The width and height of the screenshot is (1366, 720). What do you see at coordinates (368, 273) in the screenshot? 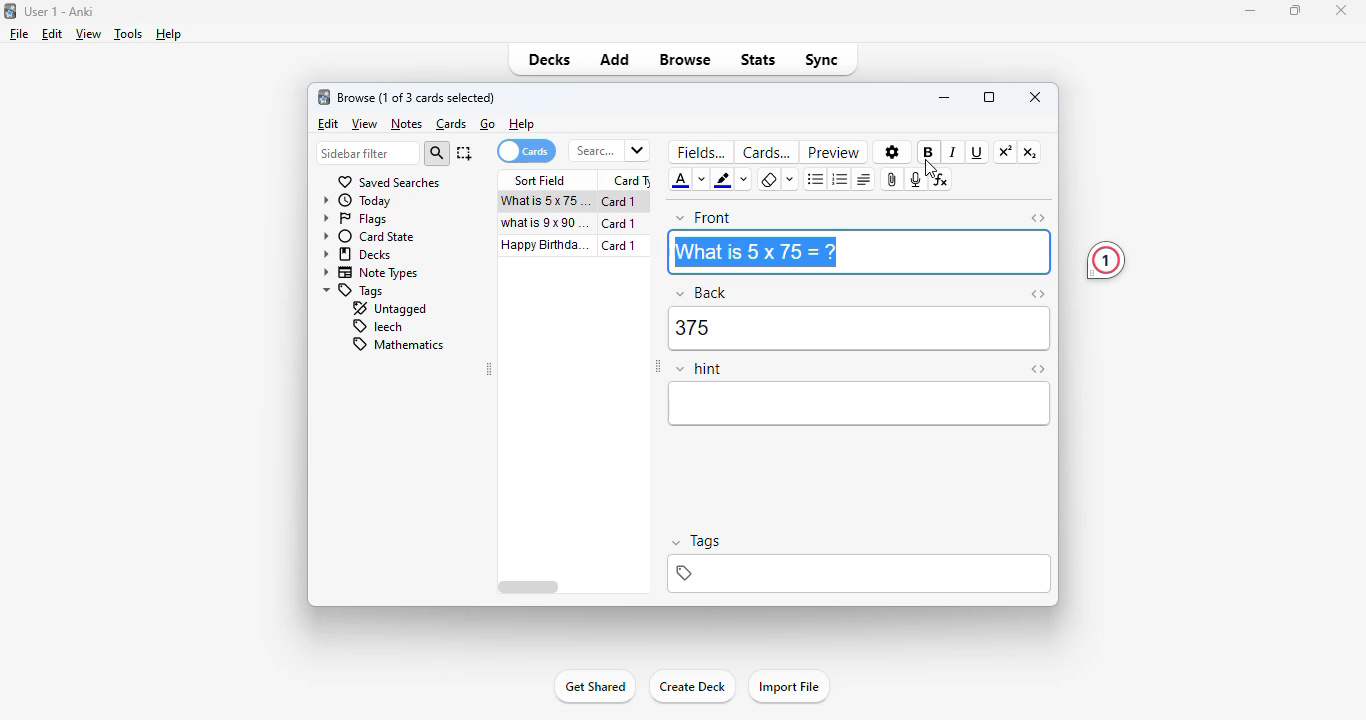
I see `note types` at bounding box center [368, 273].